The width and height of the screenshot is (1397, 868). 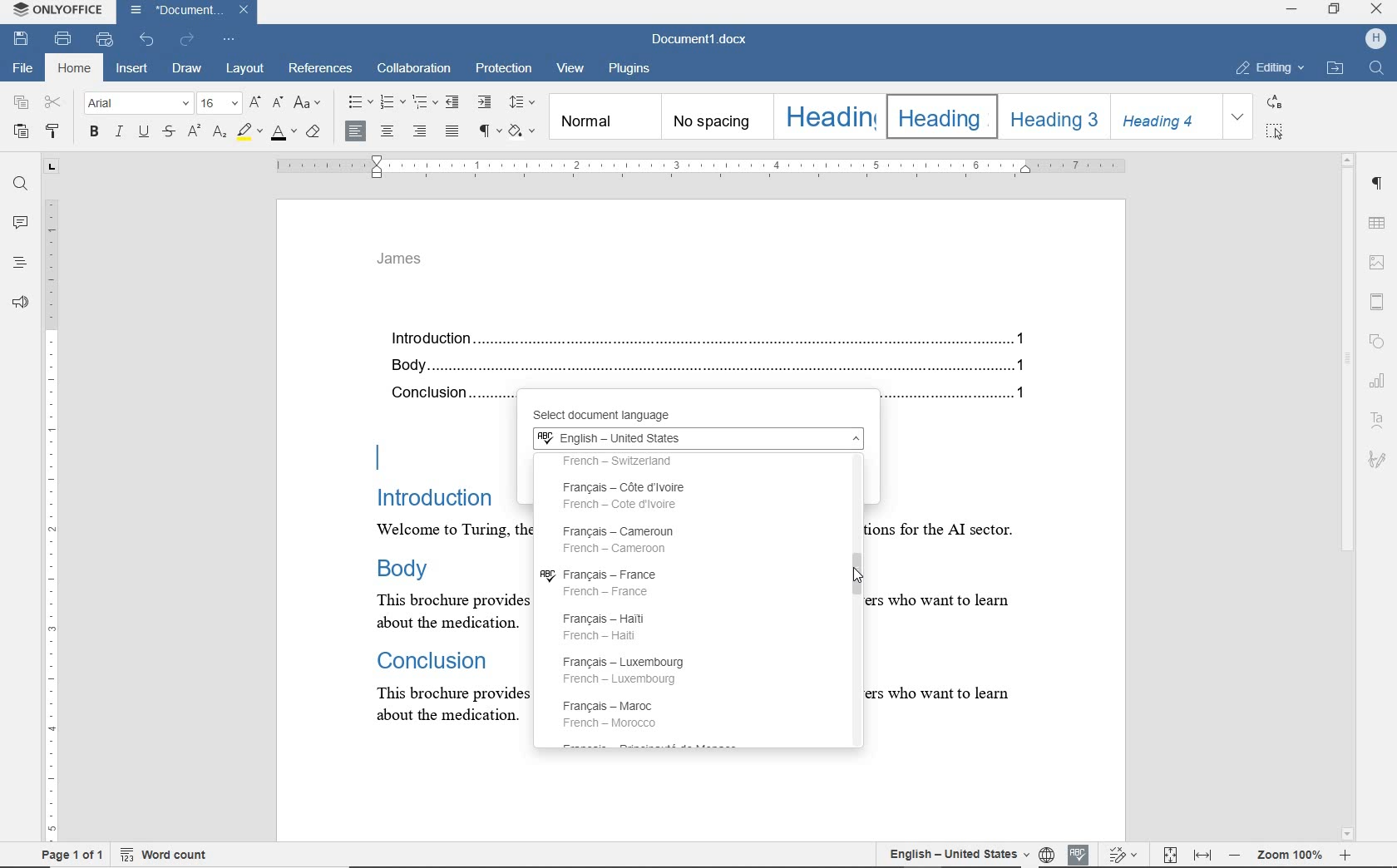 What do you see at coordinates (614, 713) in the screenshot?
I see `François - Maroc` at bounding box center [614, 713].